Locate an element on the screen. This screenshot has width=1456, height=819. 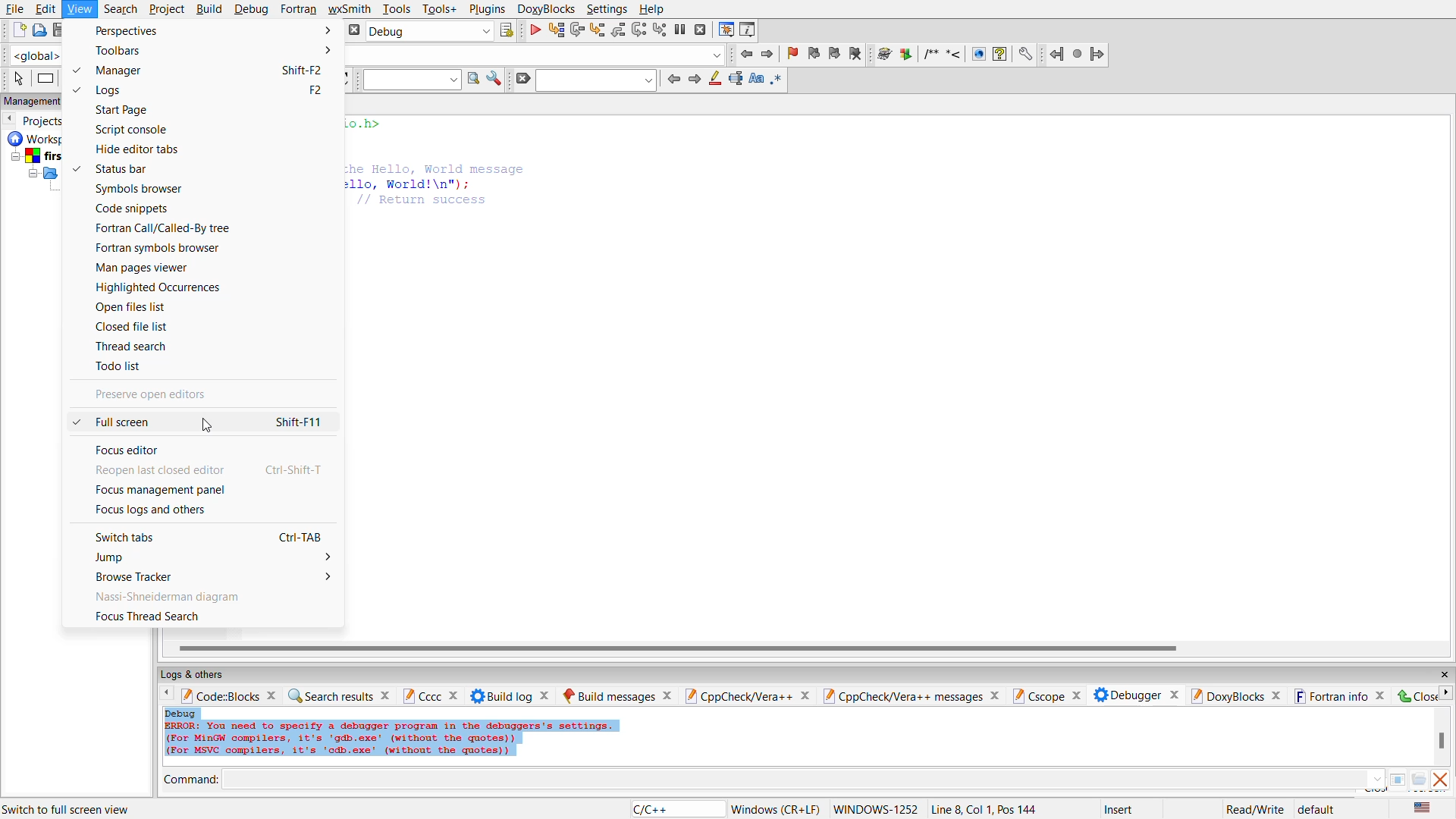
stop debugger is located at coordinates (701, 32).